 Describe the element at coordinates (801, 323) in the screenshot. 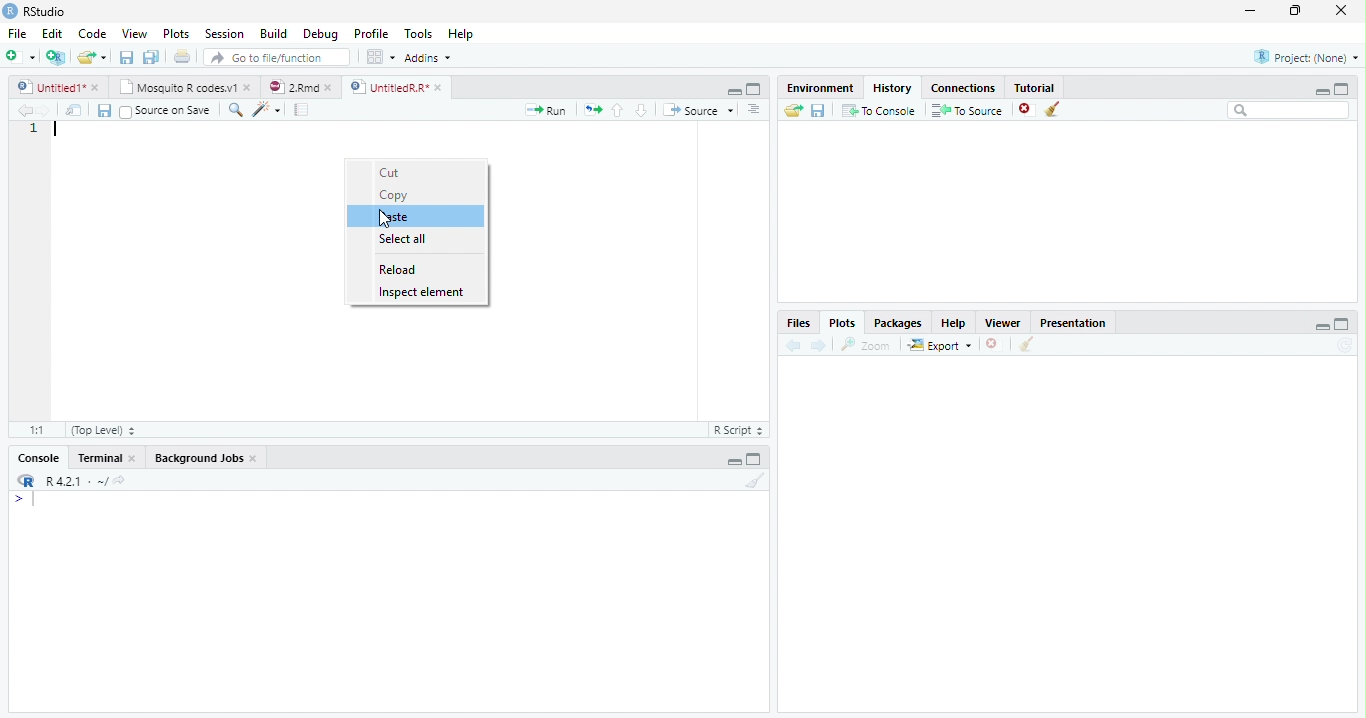

I see `Files` at that location.